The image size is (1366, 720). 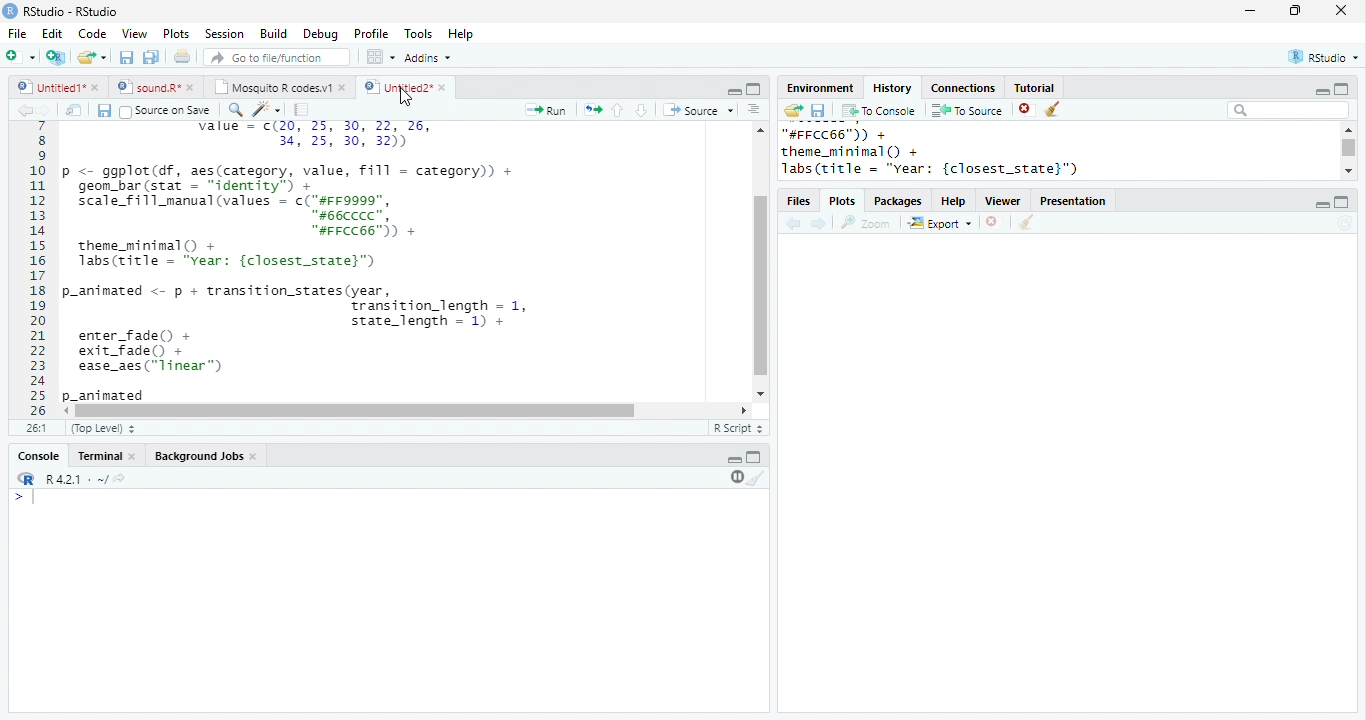 I want to click on Source on Save, so click(x=165, y=111).